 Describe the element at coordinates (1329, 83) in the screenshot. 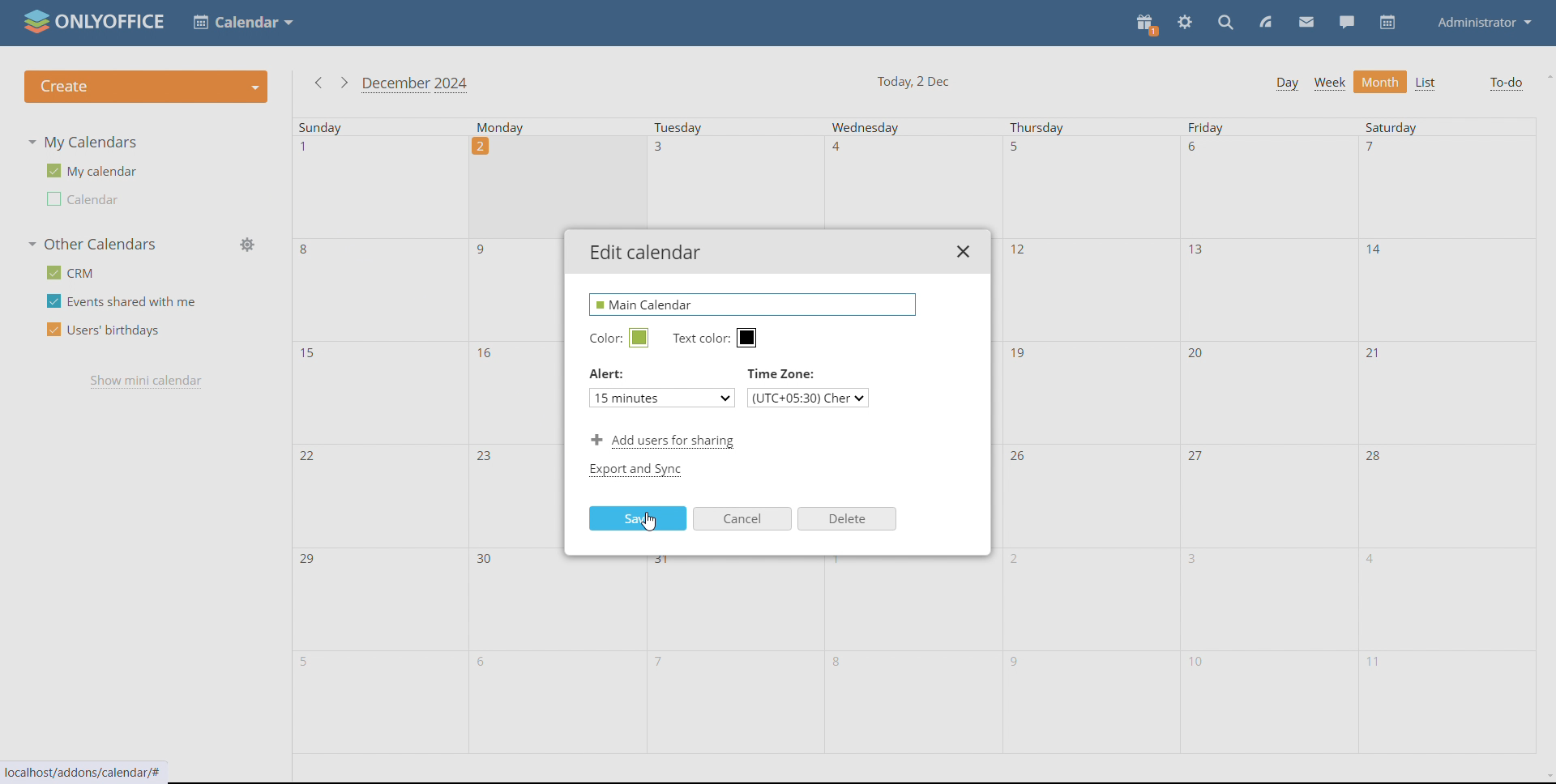

I see `week view` at that location.